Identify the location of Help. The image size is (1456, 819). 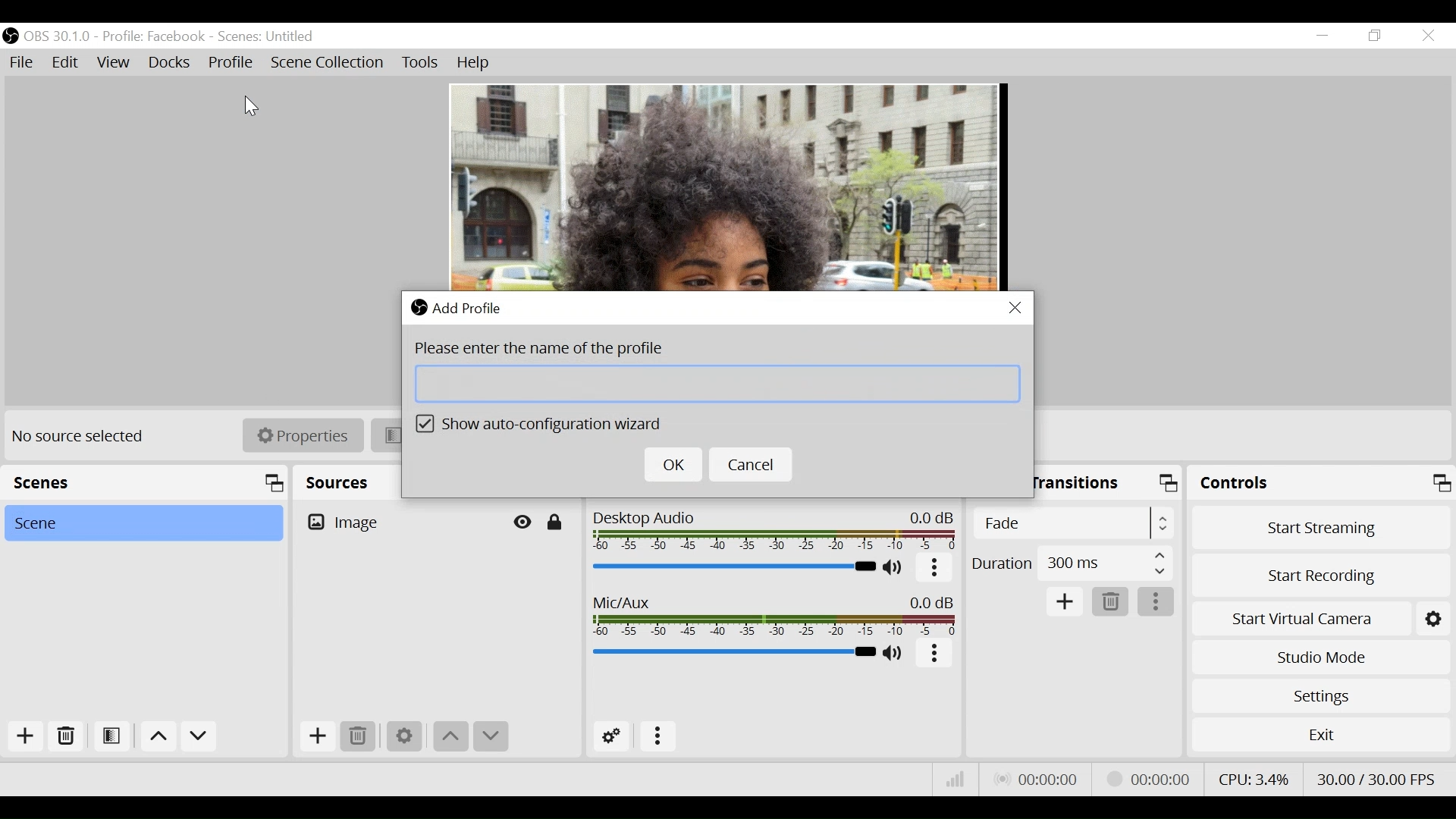
(471, 63).